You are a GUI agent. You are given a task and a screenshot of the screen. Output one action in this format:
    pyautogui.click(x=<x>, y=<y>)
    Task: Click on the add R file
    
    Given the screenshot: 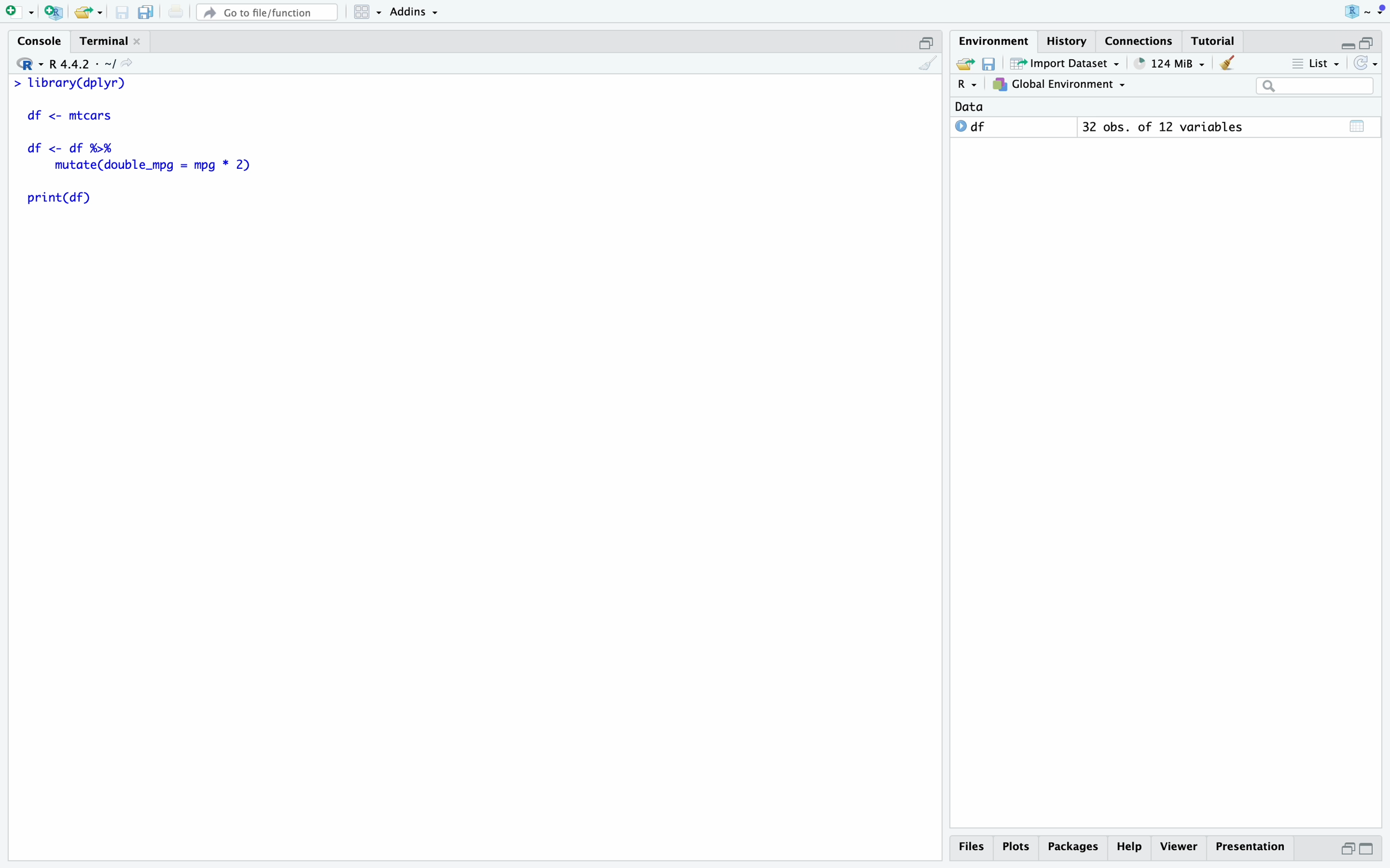 What is the action you would take?
    pyautogui.click(x=55, y=13)
    